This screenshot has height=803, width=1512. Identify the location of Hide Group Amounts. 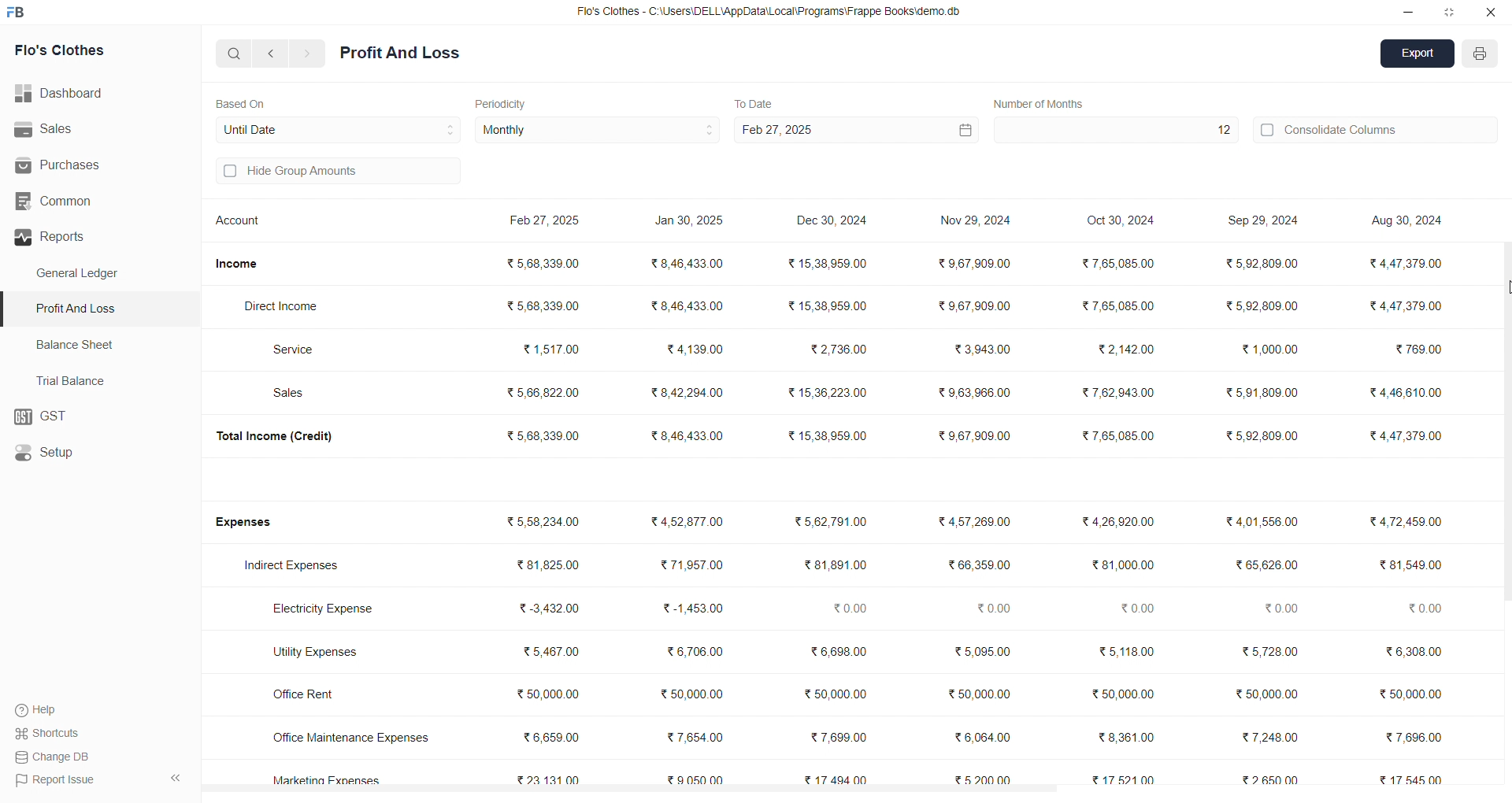
(335, 172).